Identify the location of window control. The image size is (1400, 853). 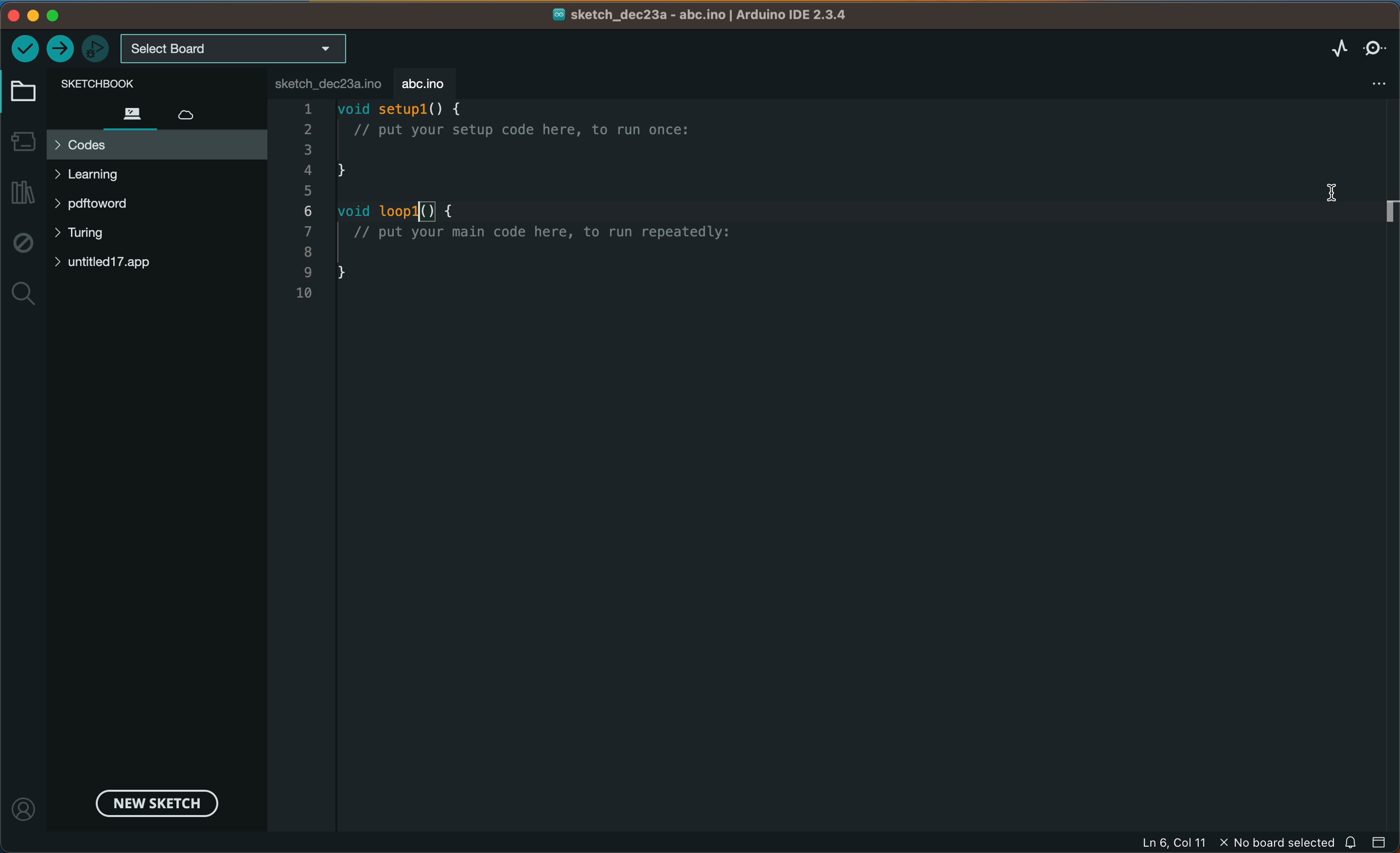
(52, 15).